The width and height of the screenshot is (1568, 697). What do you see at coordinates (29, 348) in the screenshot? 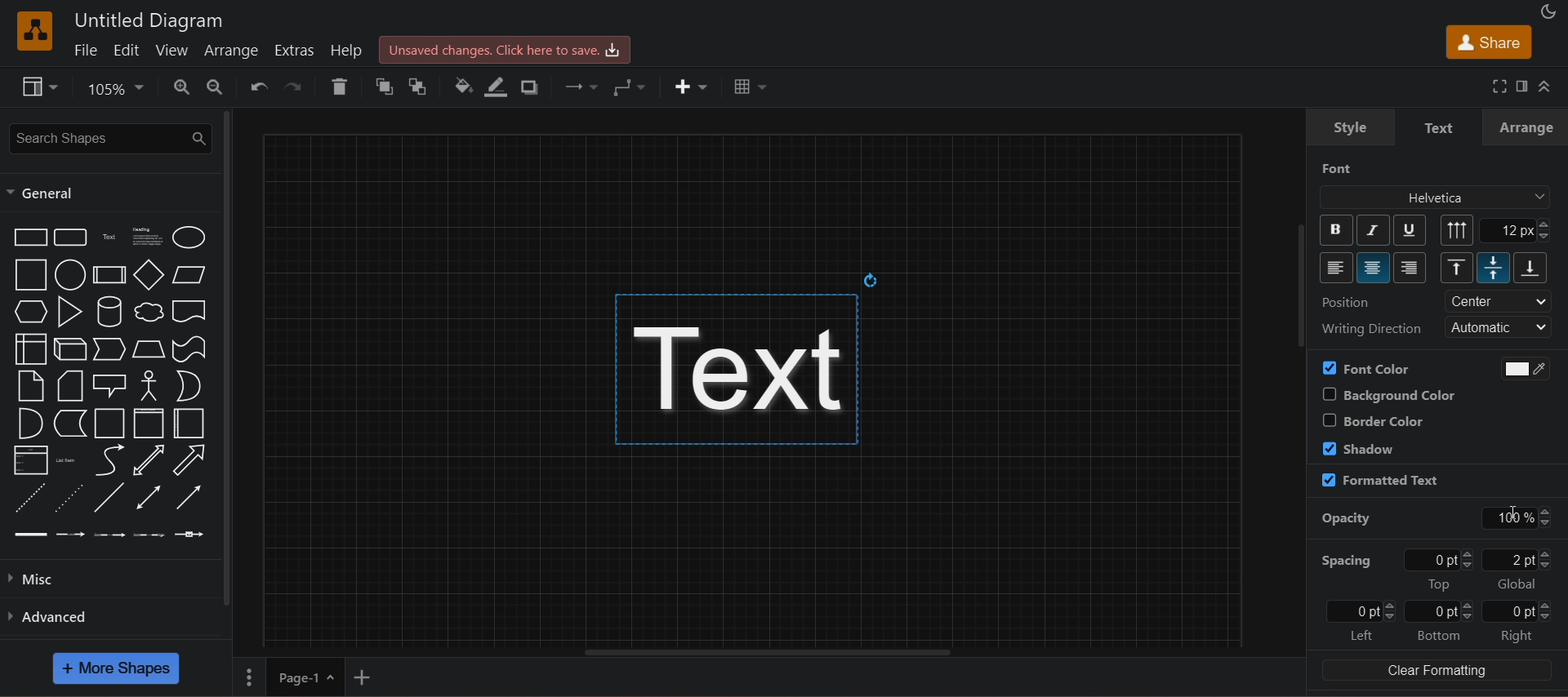
I see `internal storage` at bounding box center [29, 348].